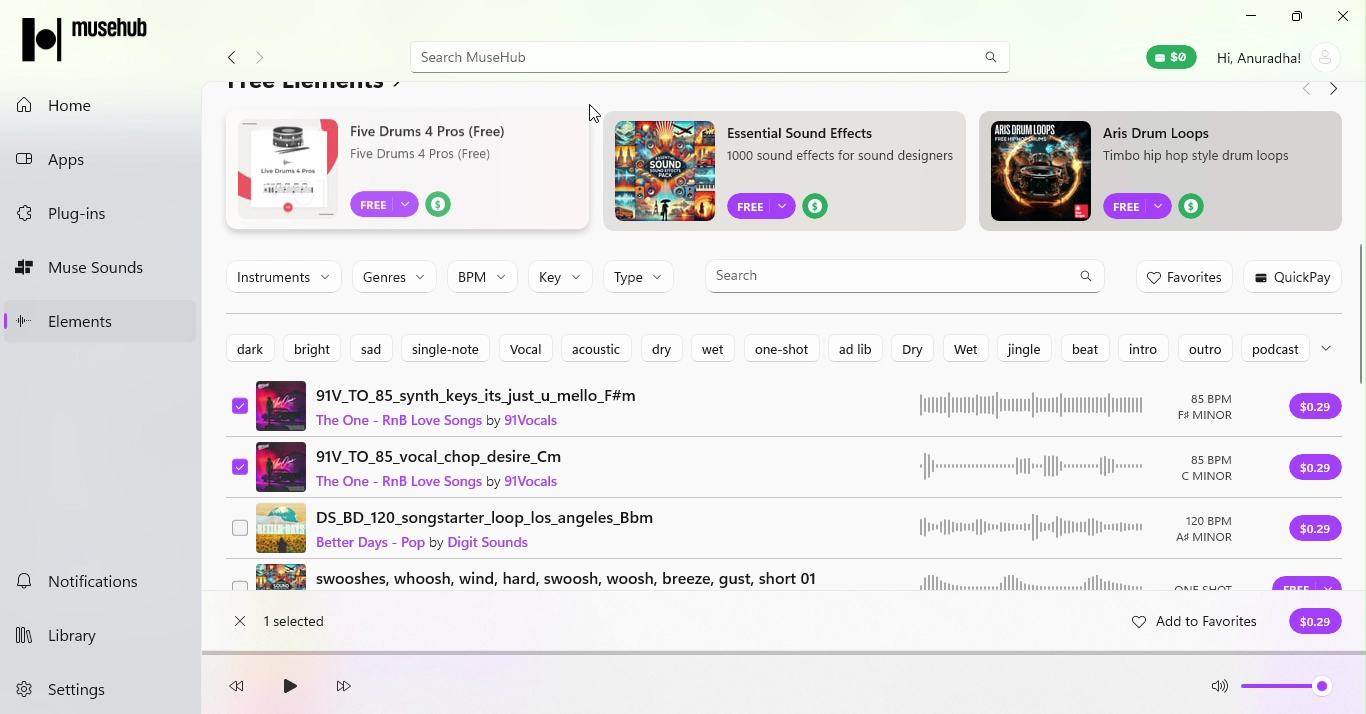 The width and height of the screenshot is (1366, 714). Describe the element at coordinates (288, 688) in the screenshot. I see `play` at that location.